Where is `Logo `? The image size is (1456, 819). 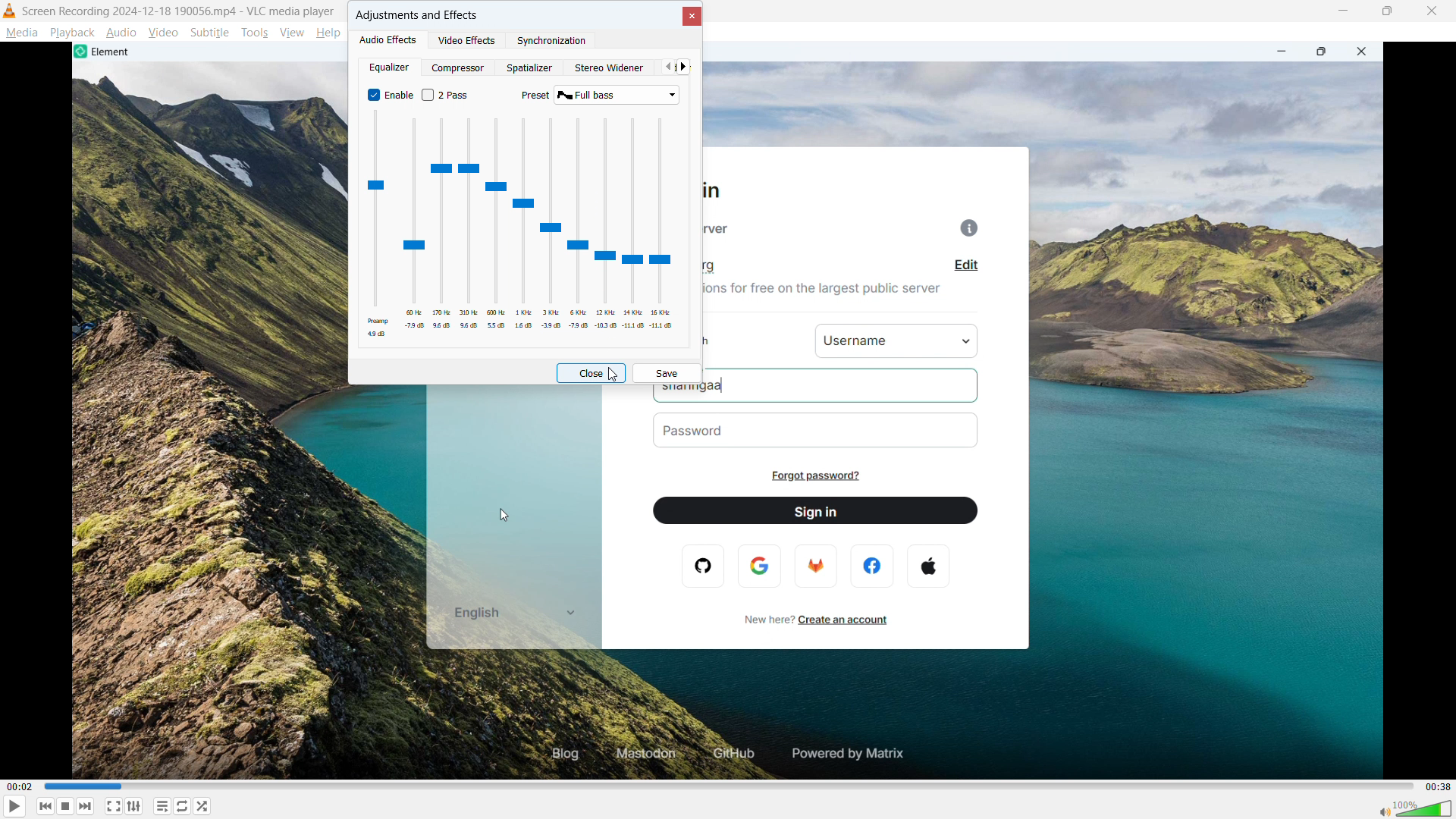
Logo  is located at coordinates (10, 11).